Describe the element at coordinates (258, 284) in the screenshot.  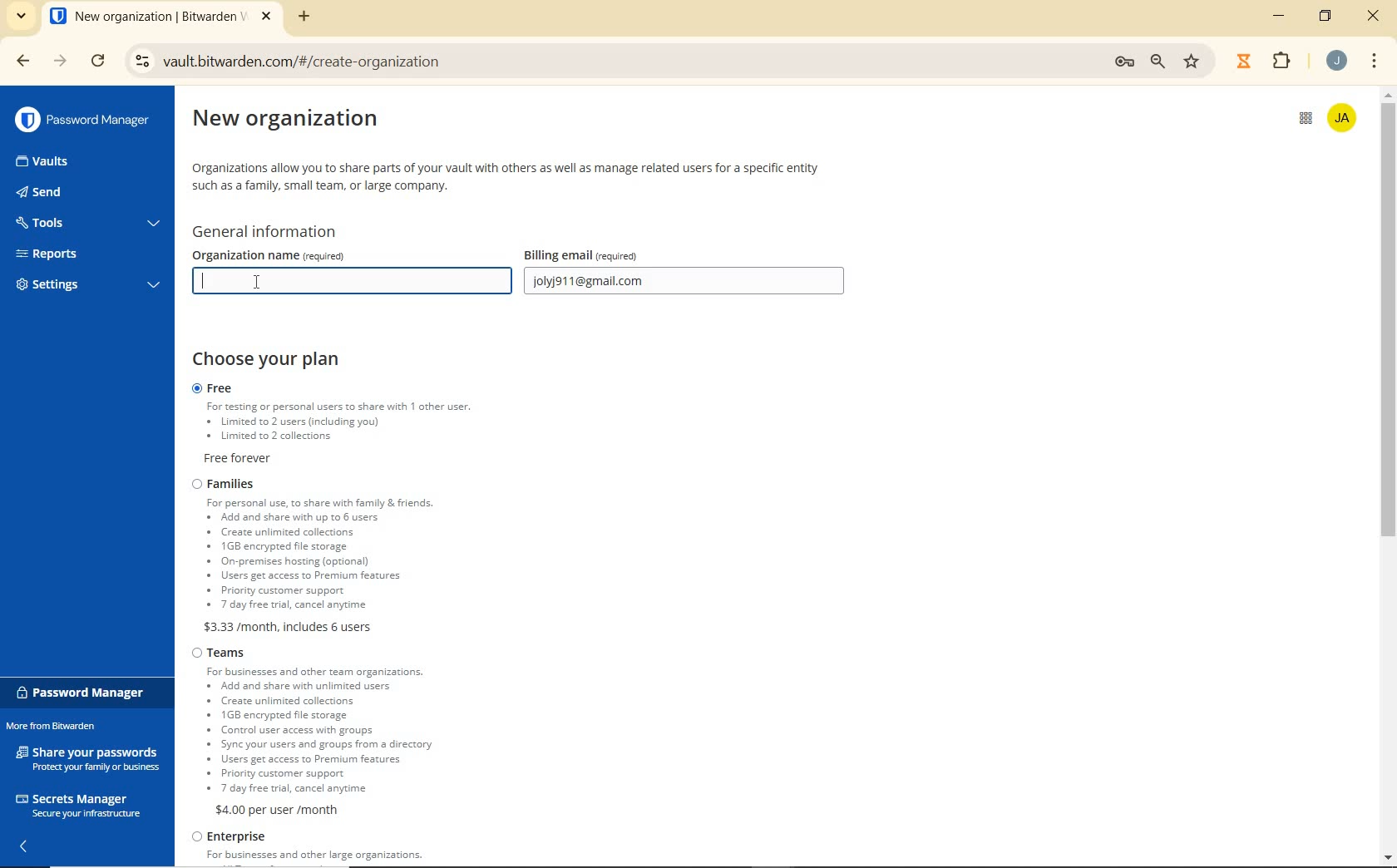
I see `cursor` at that location.